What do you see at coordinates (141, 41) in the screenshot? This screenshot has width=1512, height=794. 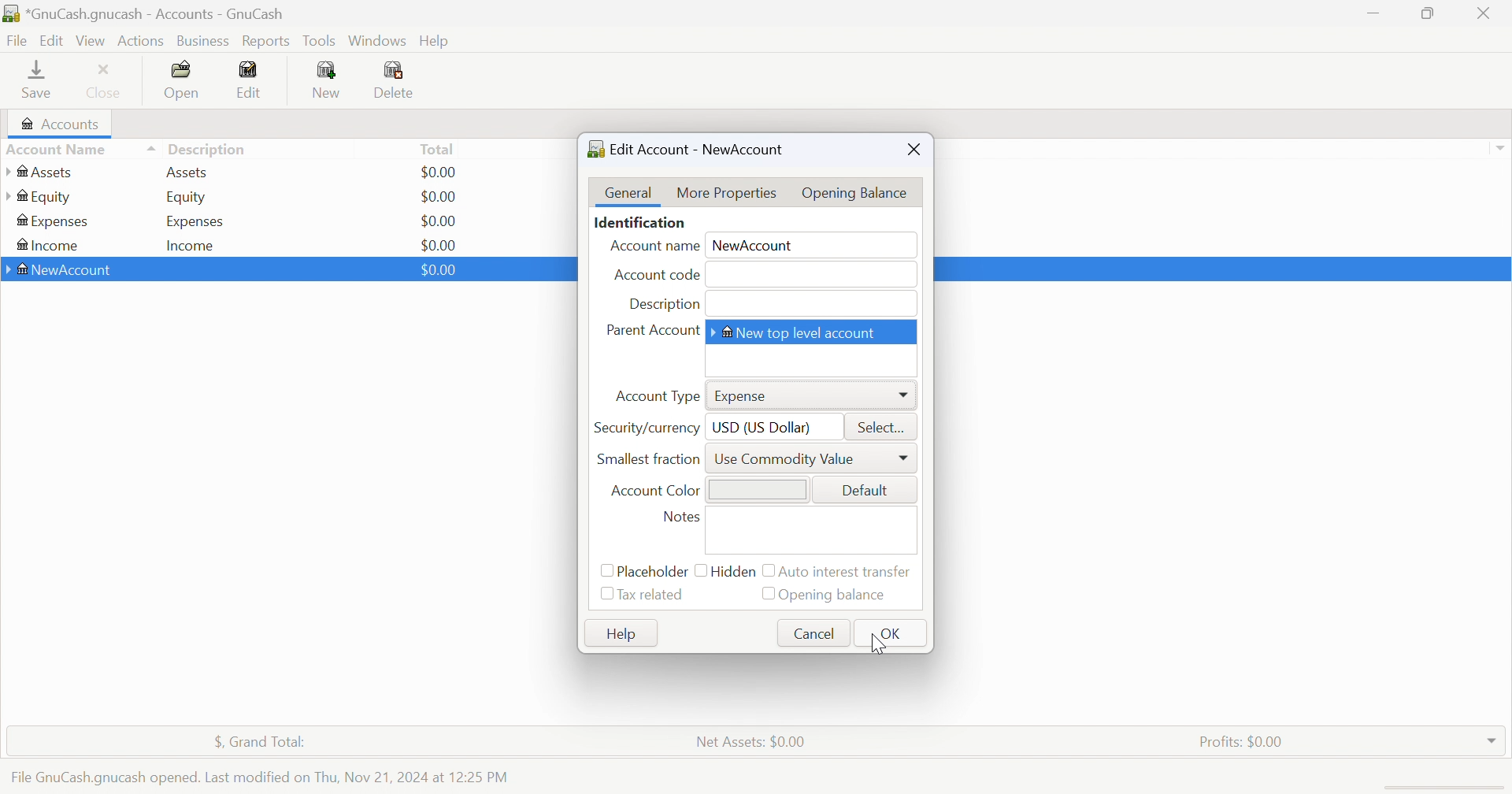 I see `Actions` at bounding box center [141, 41].